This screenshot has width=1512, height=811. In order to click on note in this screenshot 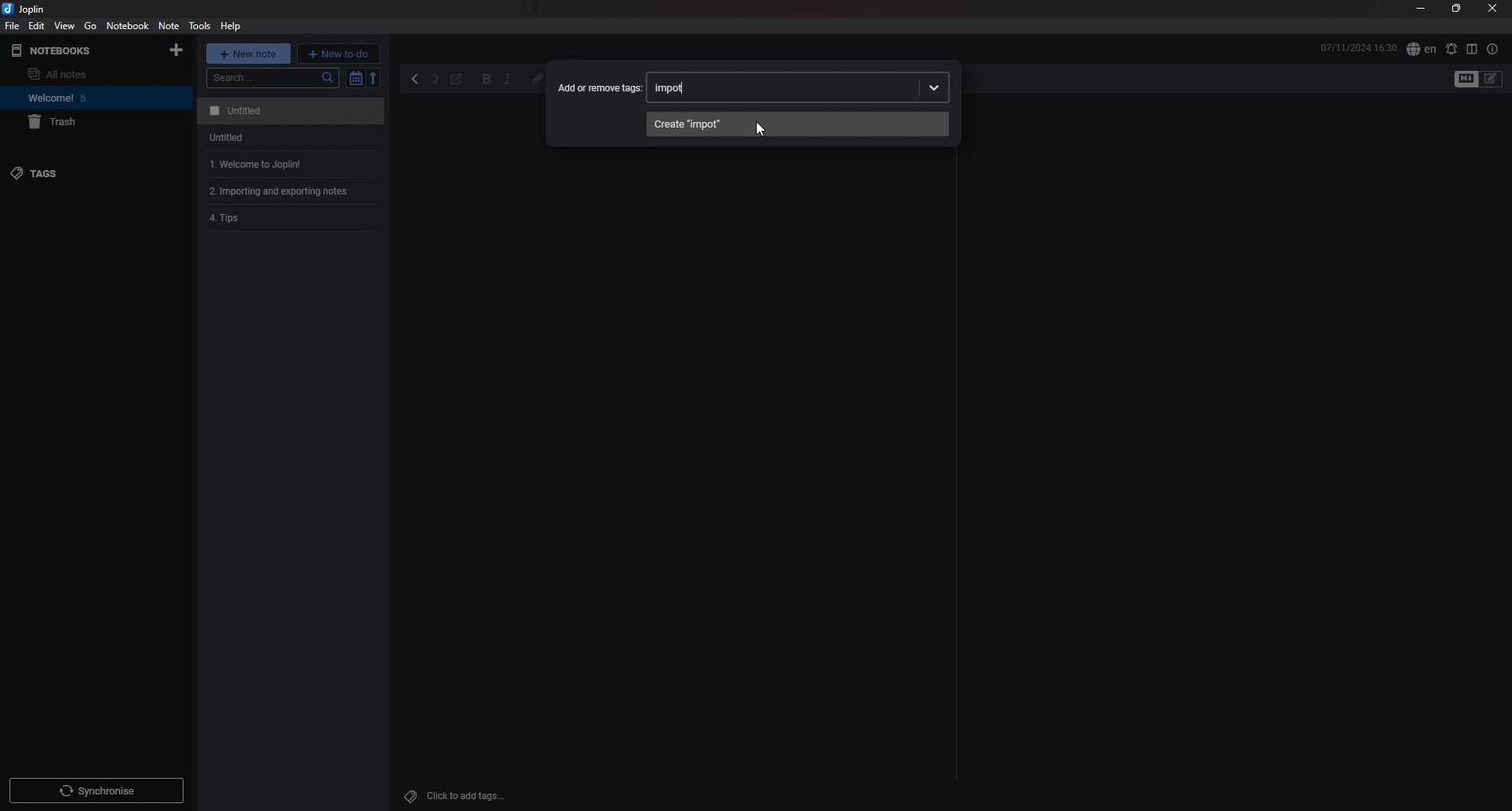, I will do `click(288, 111)`.